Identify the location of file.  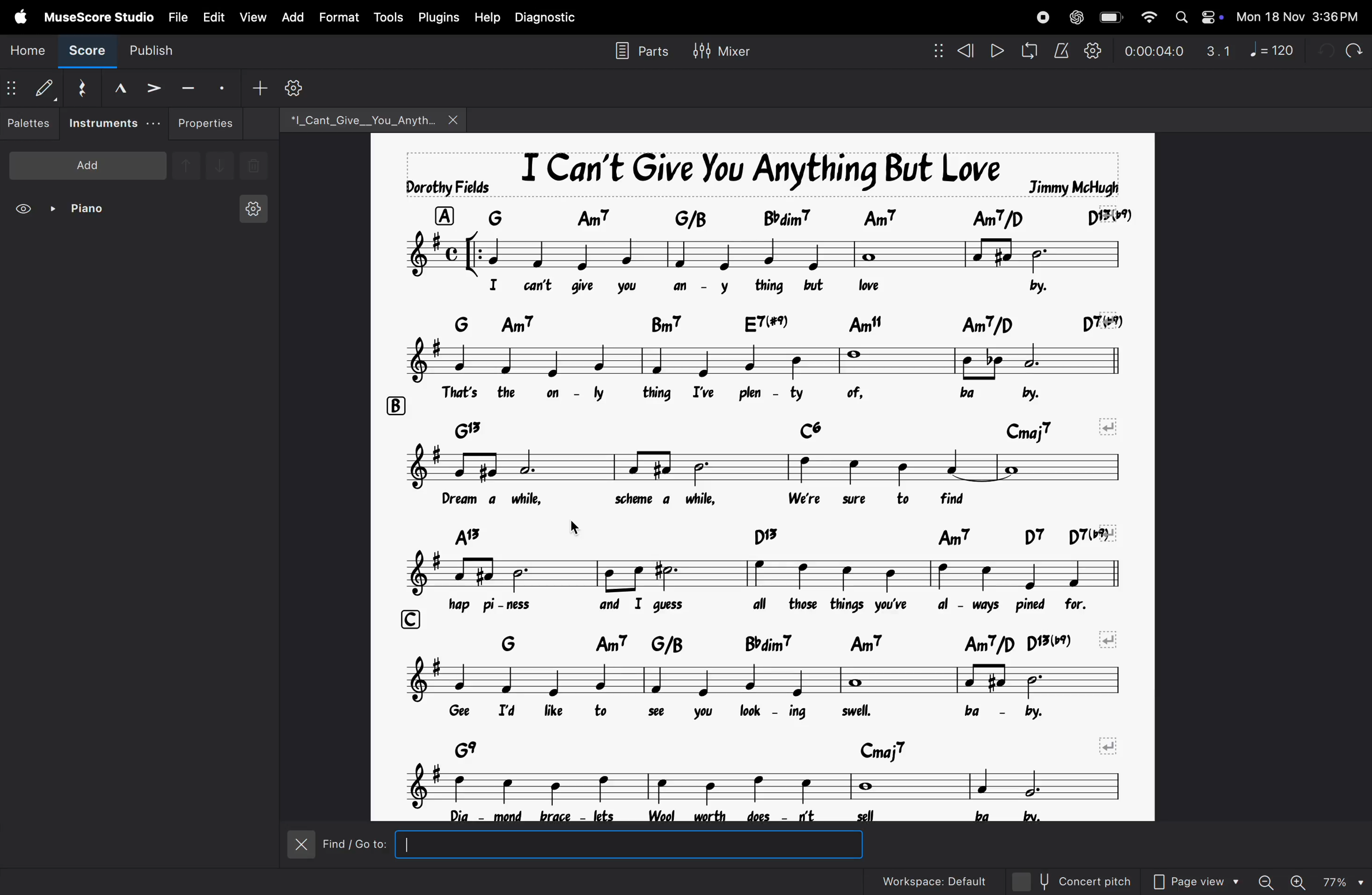
(174, 16).